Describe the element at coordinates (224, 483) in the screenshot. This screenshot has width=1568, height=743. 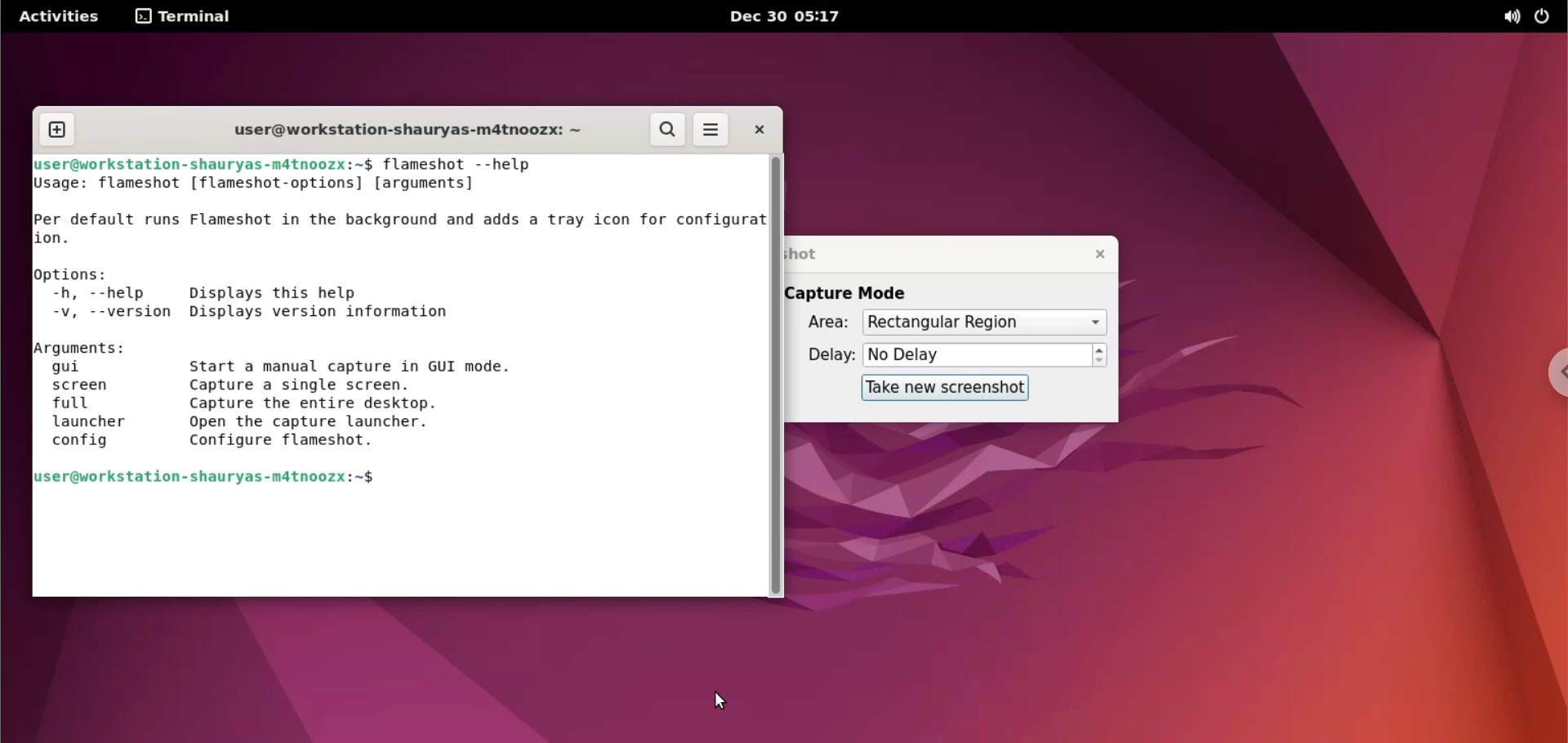
I see `user@workstation-shaurya-m4tnooz:~$` at that location.